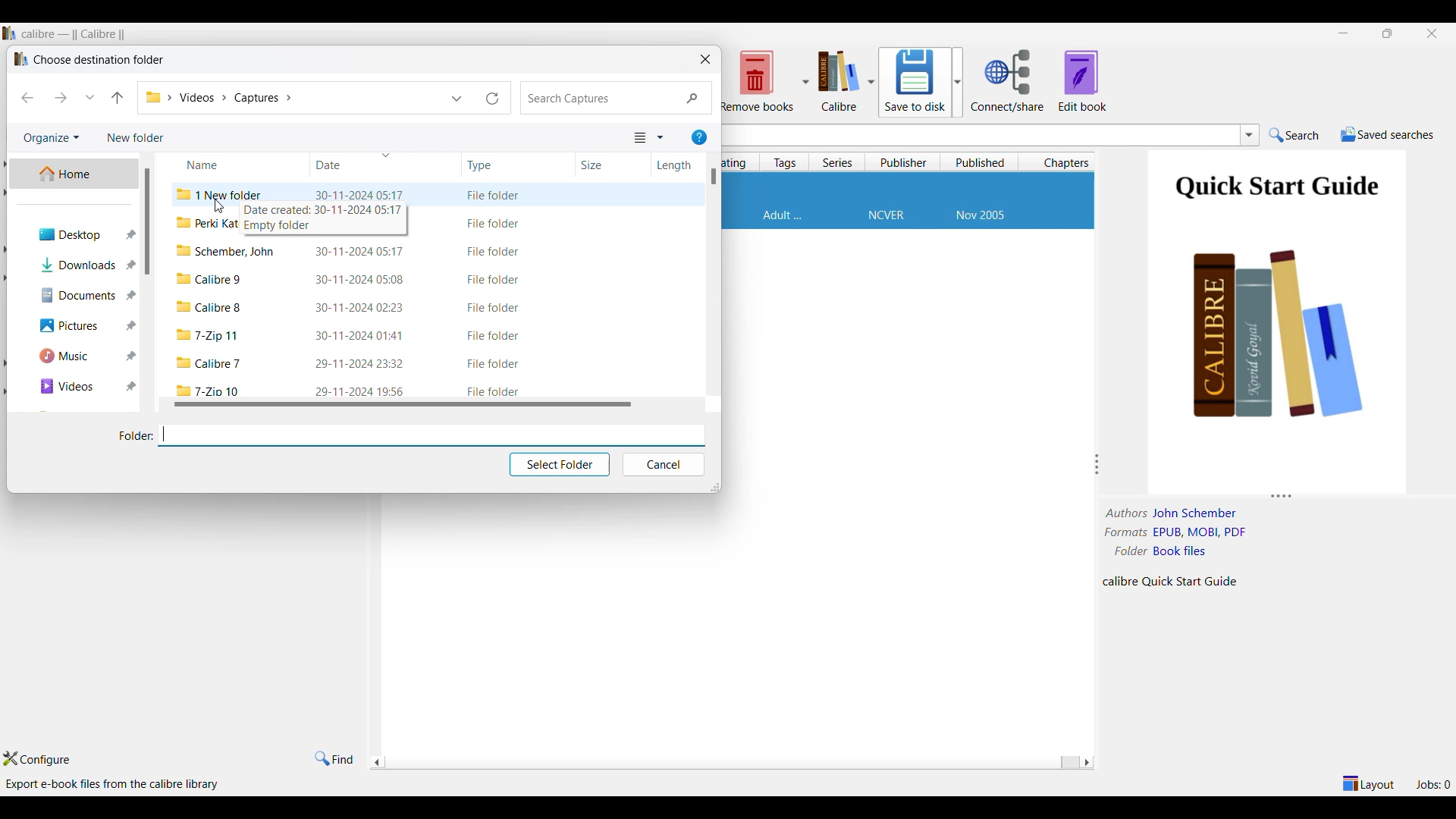 The image size is (1456, 819). I want to click on Desktop, so click(78, 234).